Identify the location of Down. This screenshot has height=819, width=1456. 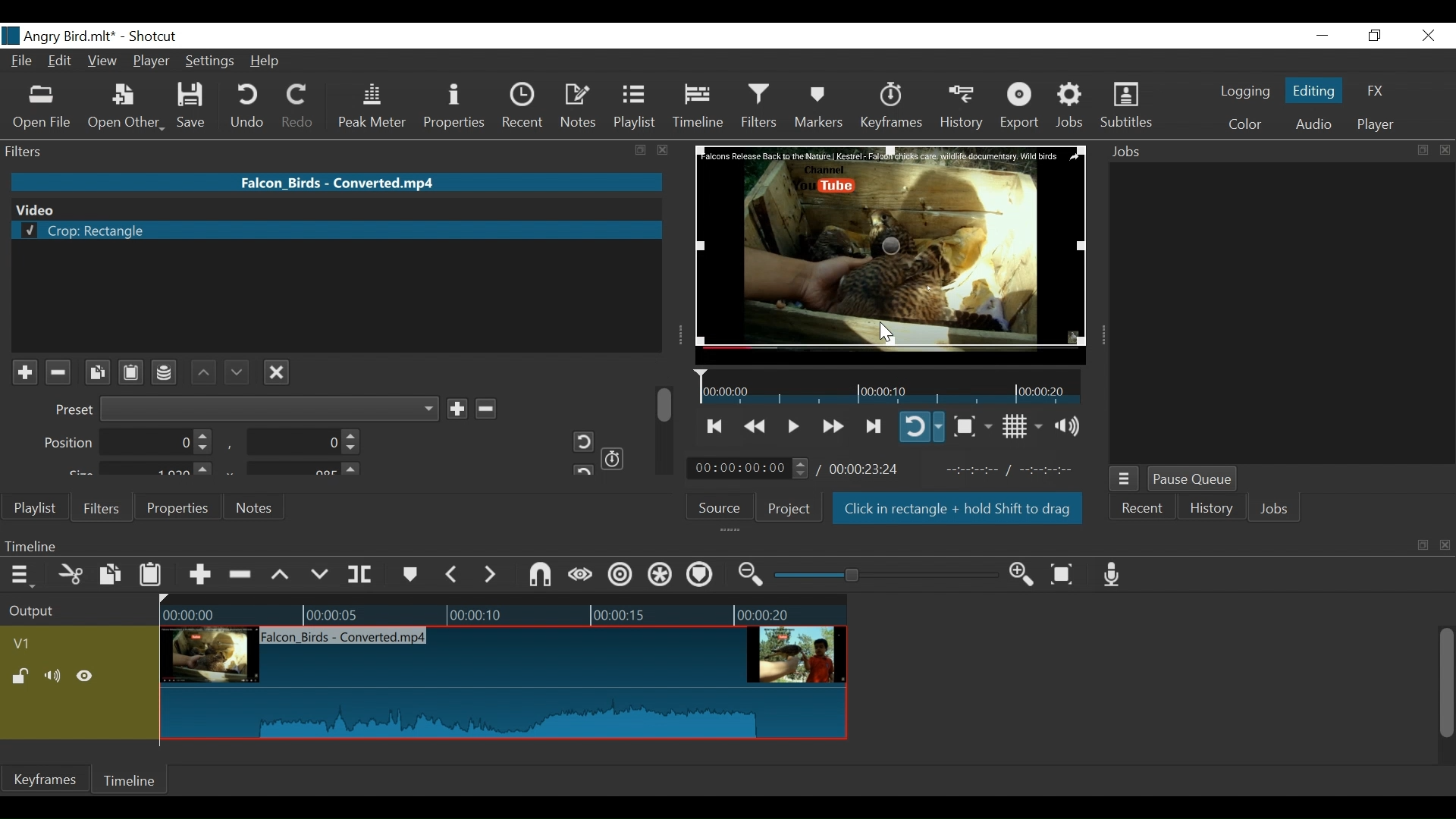
(234, 369).